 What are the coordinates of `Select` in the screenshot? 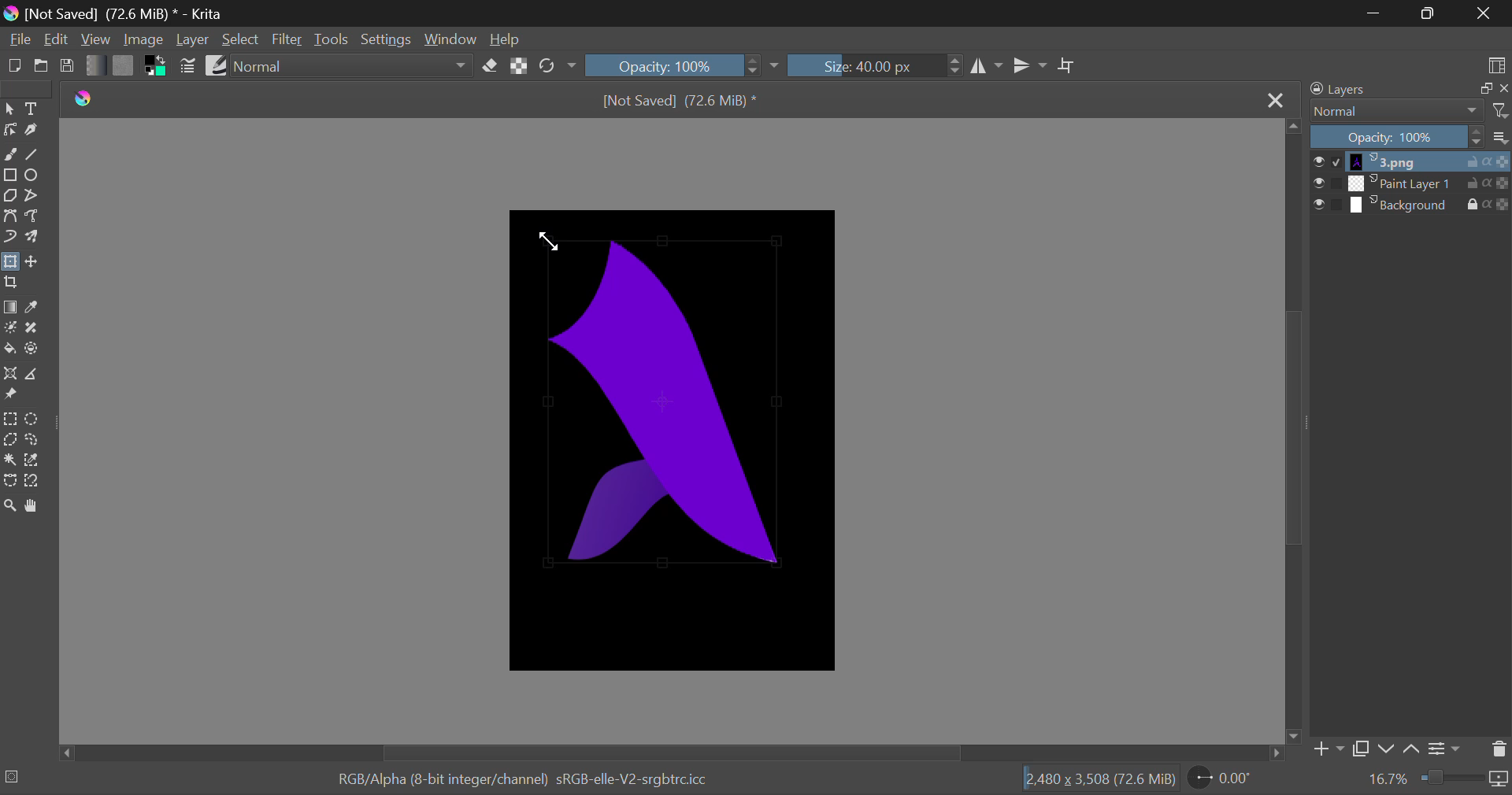 It's located at (9, 109).